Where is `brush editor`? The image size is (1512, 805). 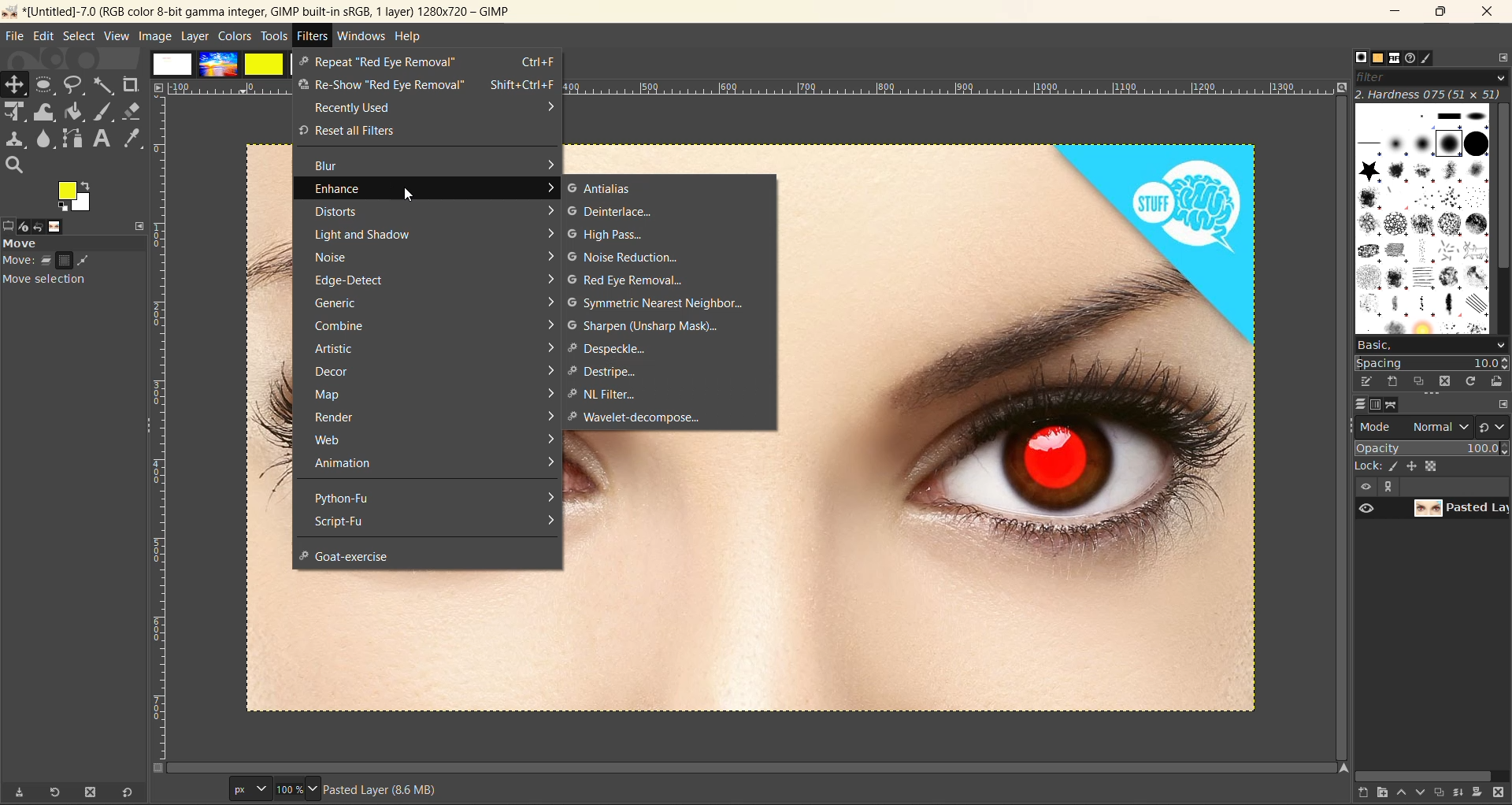 brush editor is located at coordinates (1434, 59).